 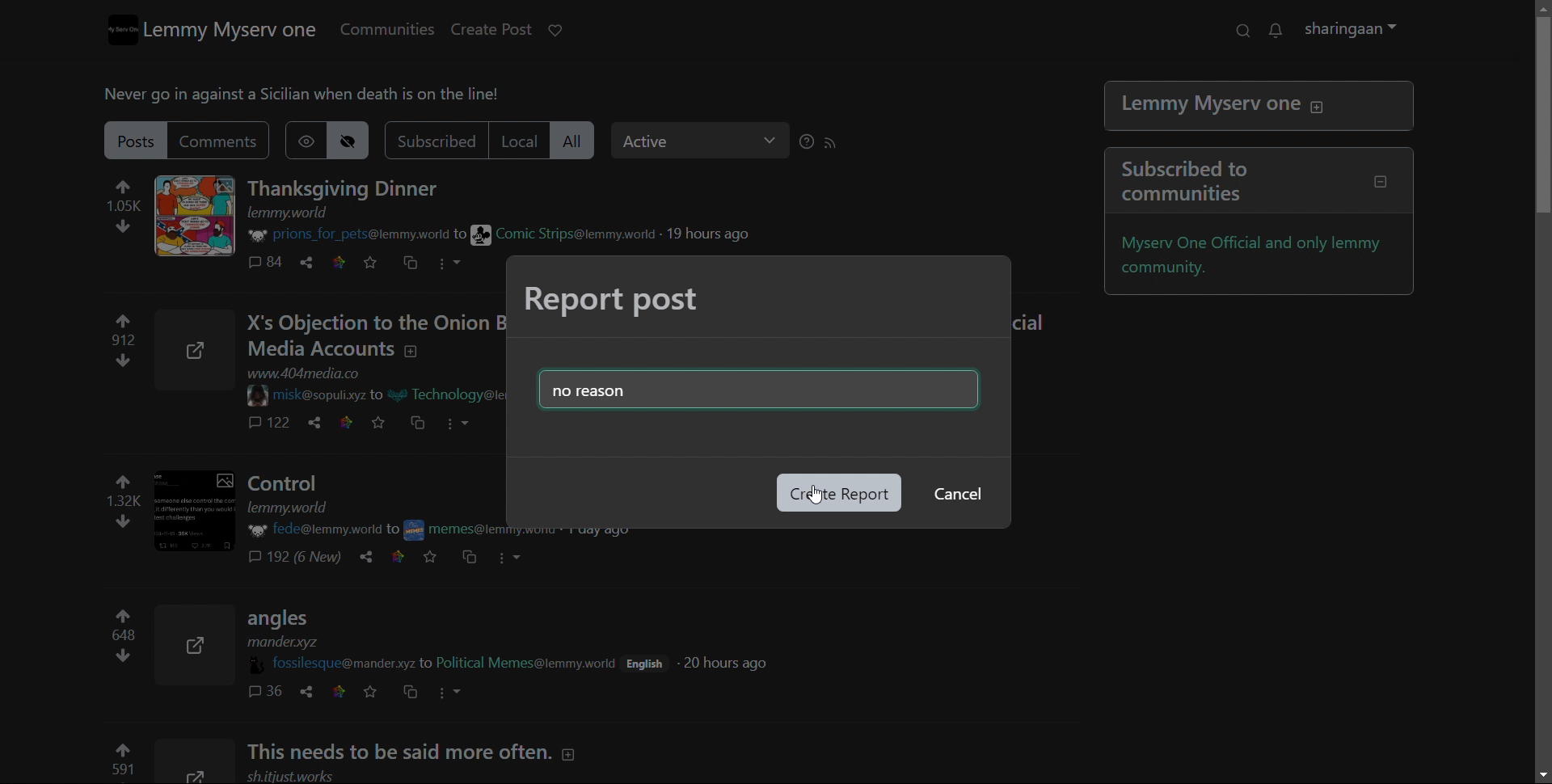 What do you see at coordinates (379, 263) in the screenshot?
I see `favorite` at bounding box center [379, 263].